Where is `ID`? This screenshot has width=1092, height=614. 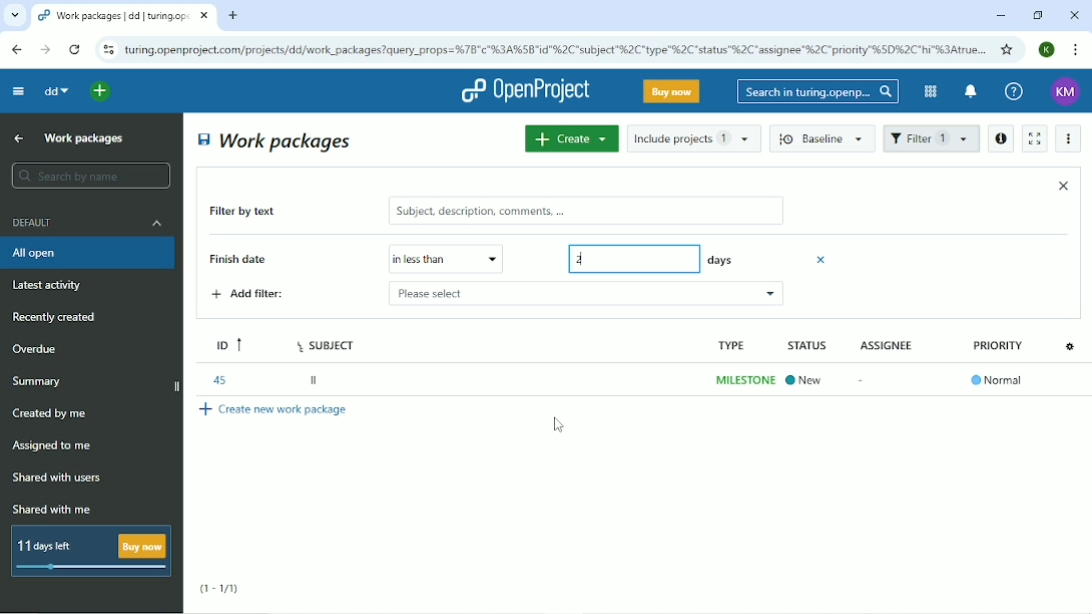 ID is located at coordinates (223, 349).